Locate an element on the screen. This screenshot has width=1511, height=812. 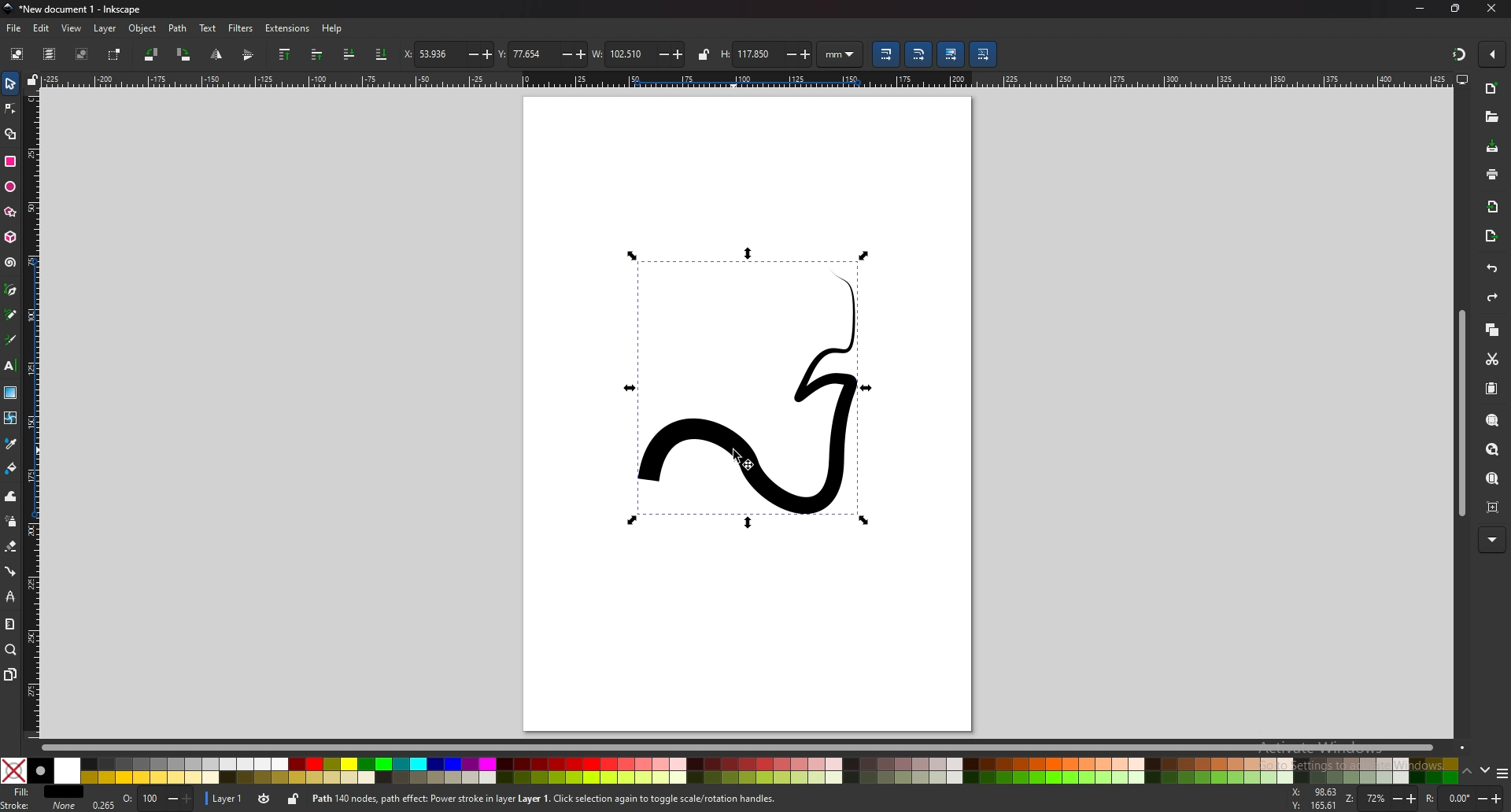
resize is located at coordinates (1457, 9).